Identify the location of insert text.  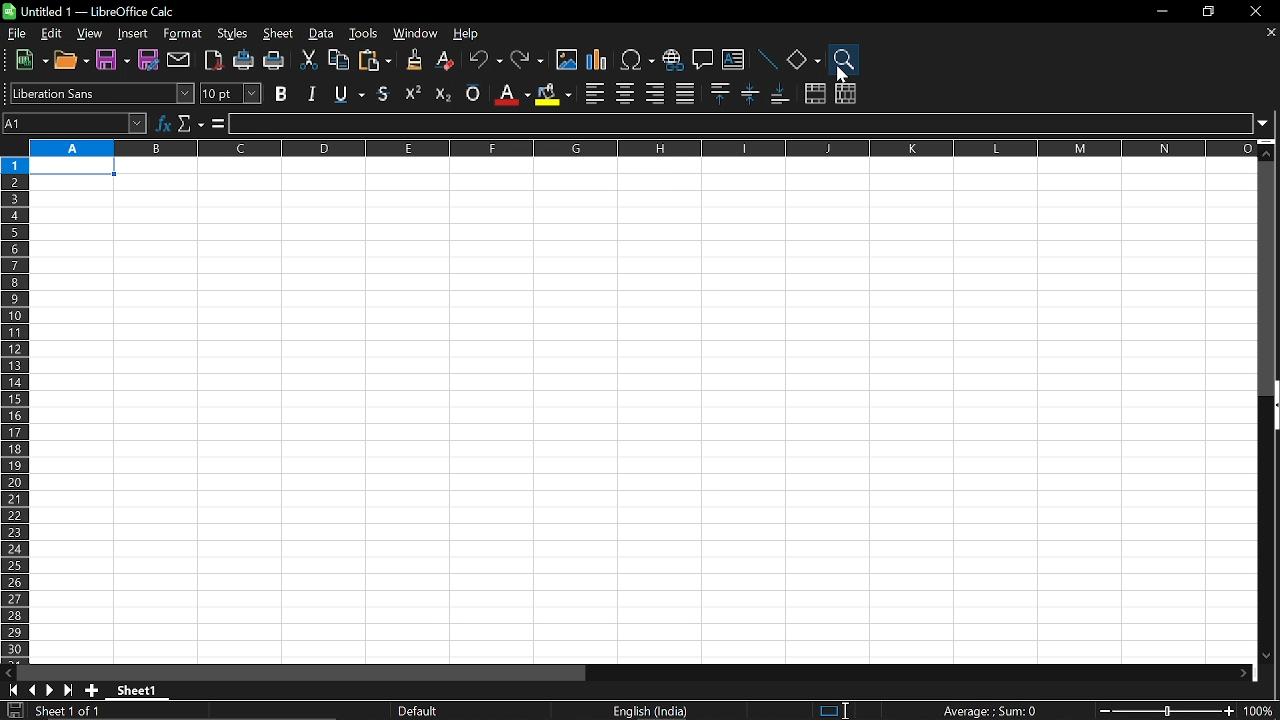
(733, 62).